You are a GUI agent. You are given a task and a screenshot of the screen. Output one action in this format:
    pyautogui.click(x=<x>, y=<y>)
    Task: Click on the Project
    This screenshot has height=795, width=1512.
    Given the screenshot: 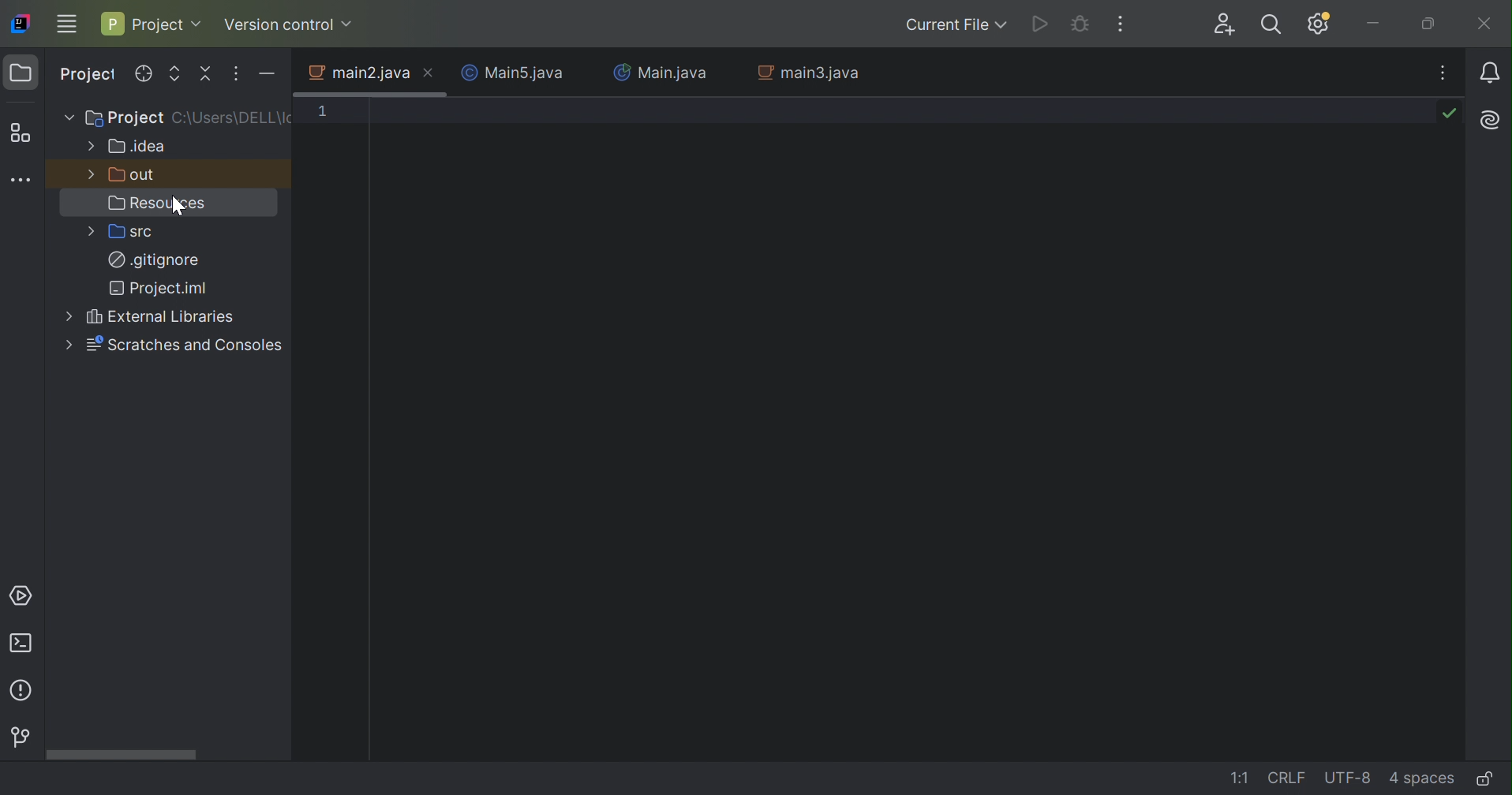 What is the action you would take?
    pyautogui.click(x=125, y=119)
    